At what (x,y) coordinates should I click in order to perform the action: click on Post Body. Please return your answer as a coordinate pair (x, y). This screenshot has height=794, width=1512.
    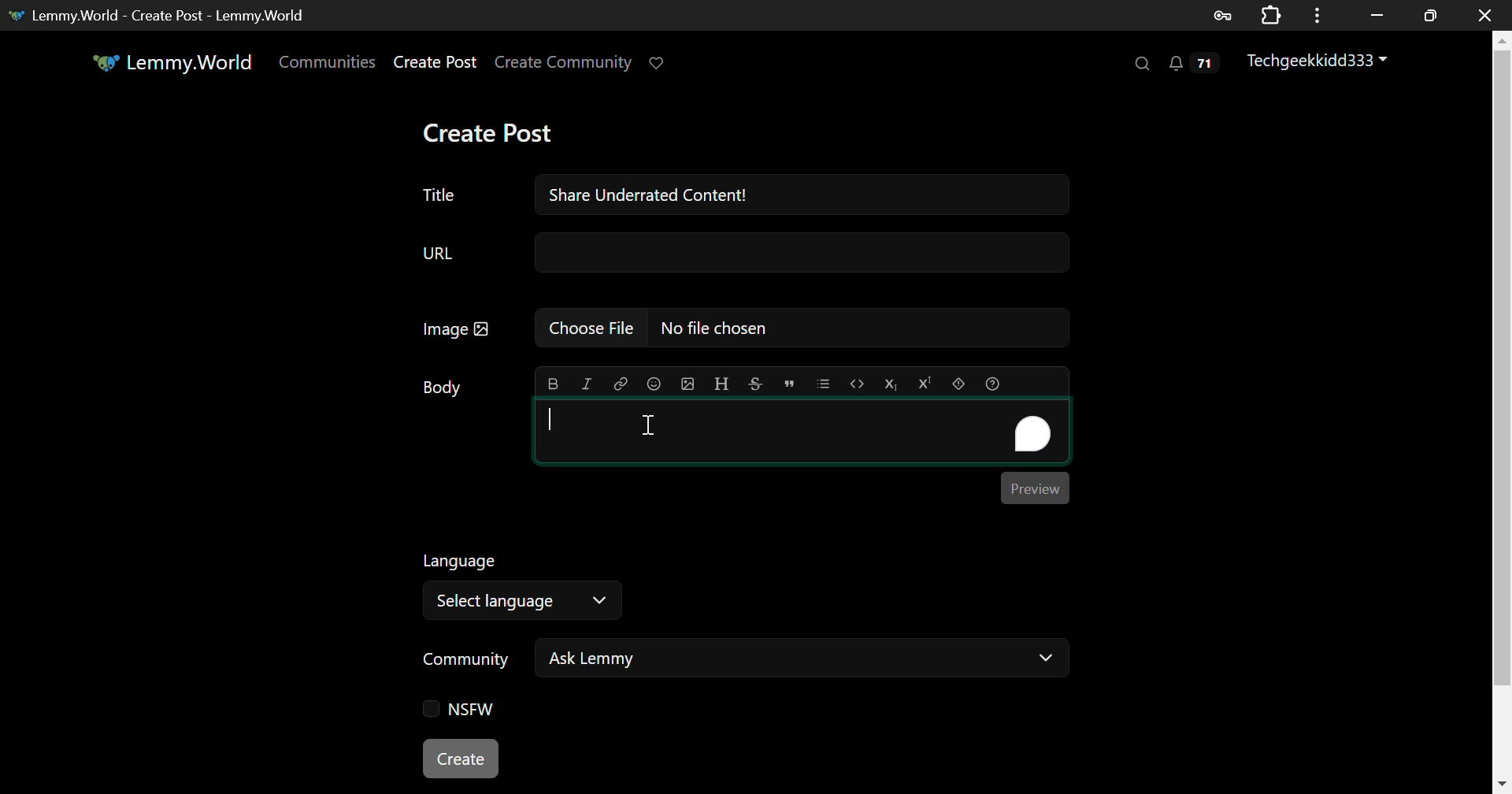
    Looking at the image, I should click on (802, 429).